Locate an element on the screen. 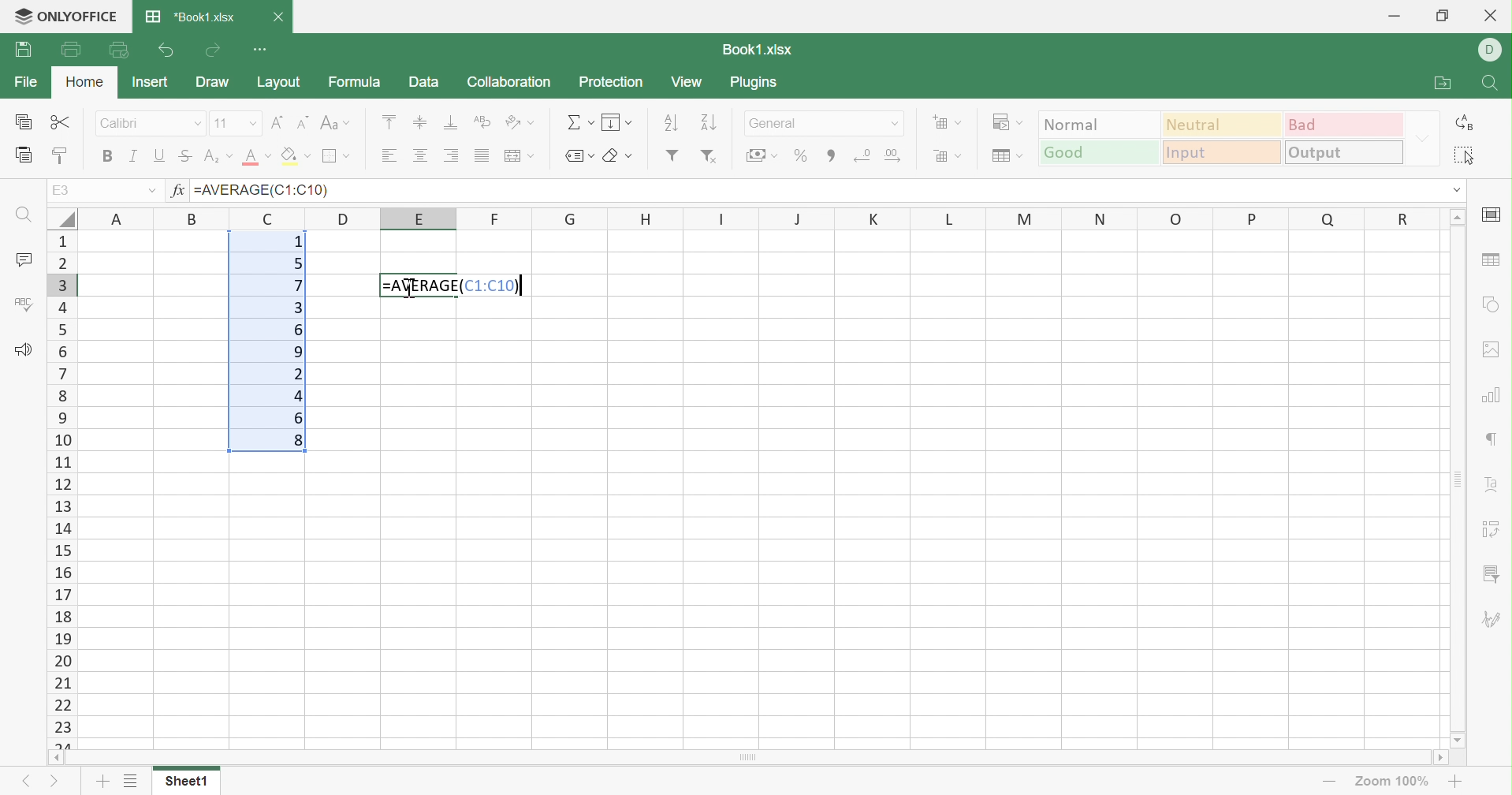 The height and width of the screenshot is (795, 1512). Descending order is located at coordinates (705, 123).